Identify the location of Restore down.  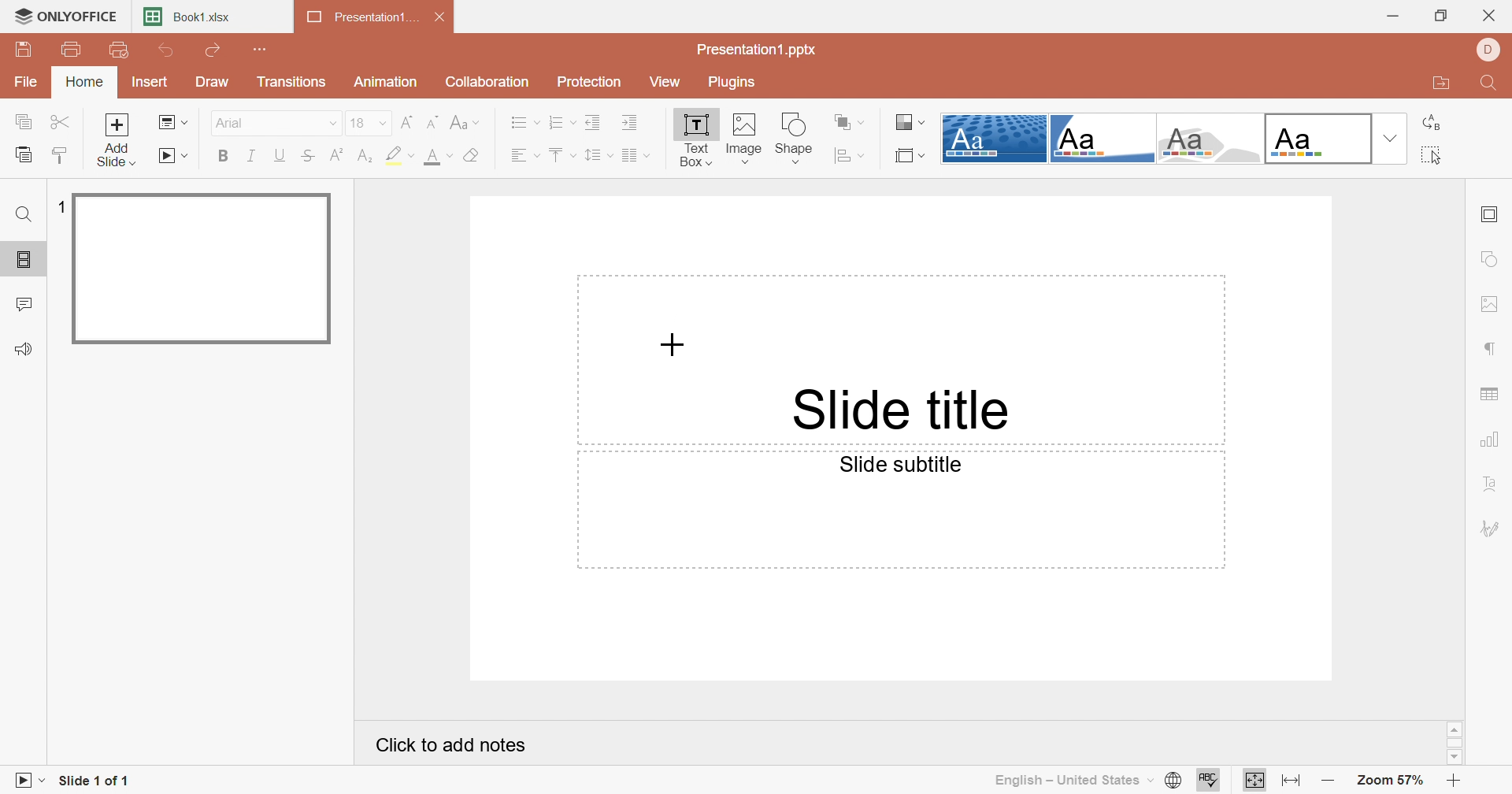
(1441, 13).